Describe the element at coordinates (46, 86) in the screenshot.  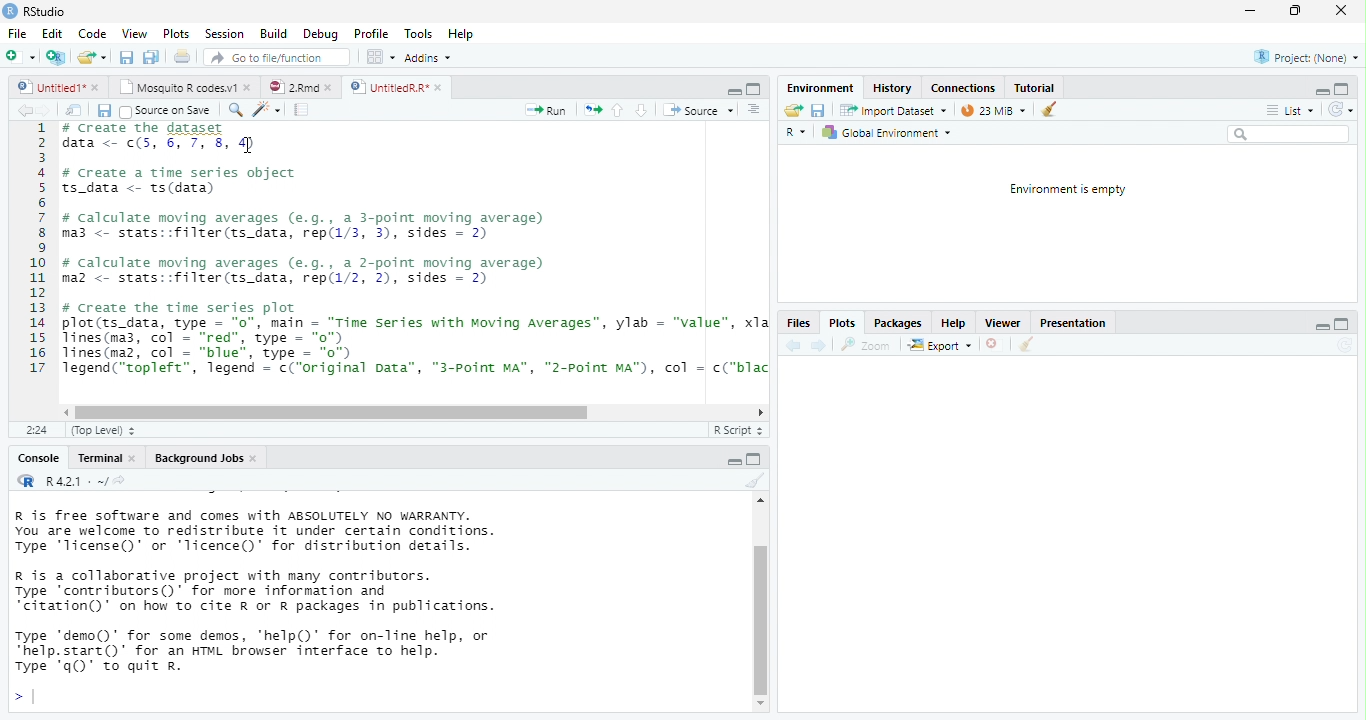
I see `untitled 1` at that location.